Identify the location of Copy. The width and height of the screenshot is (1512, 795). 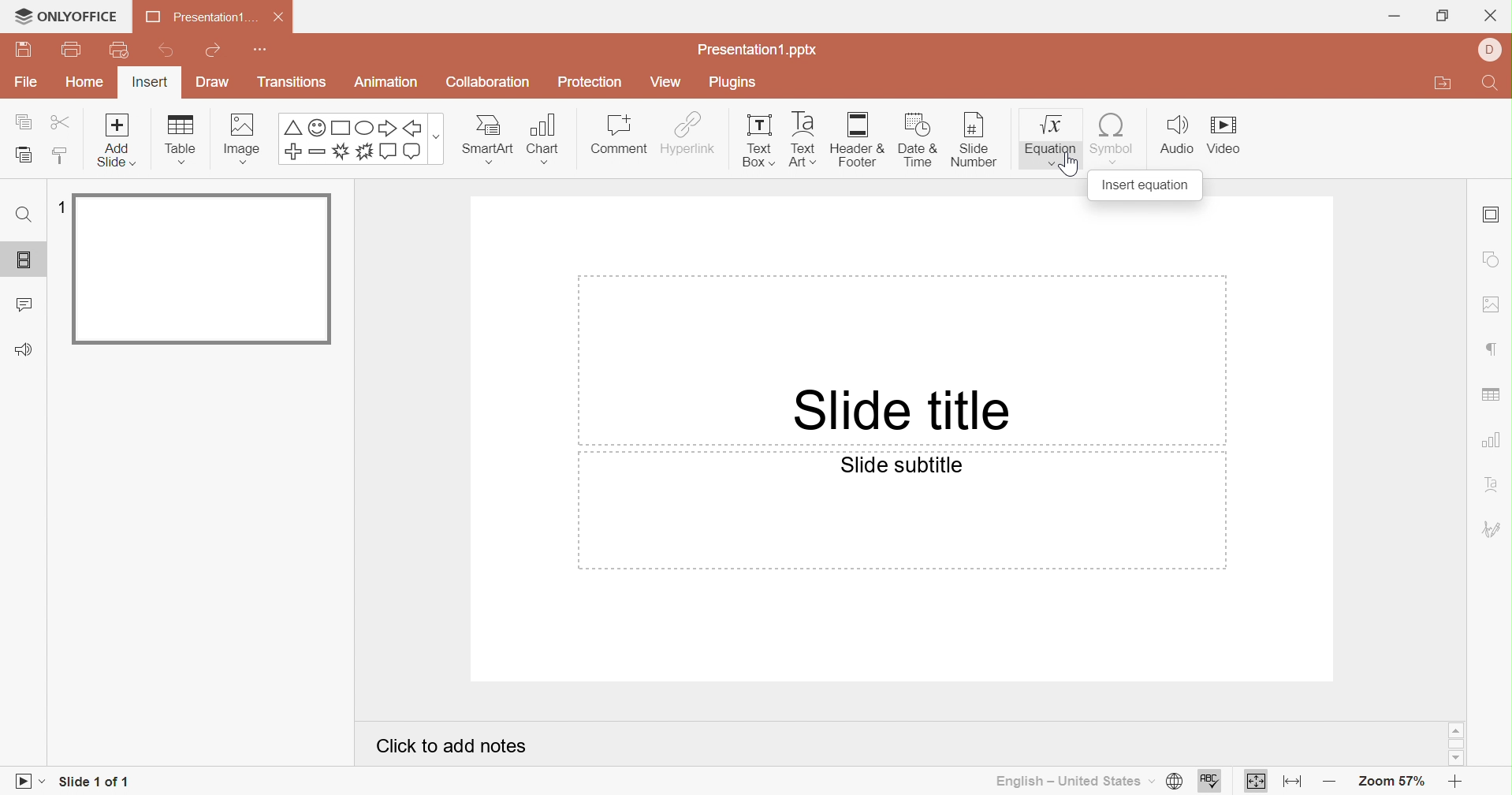
(25, 121).